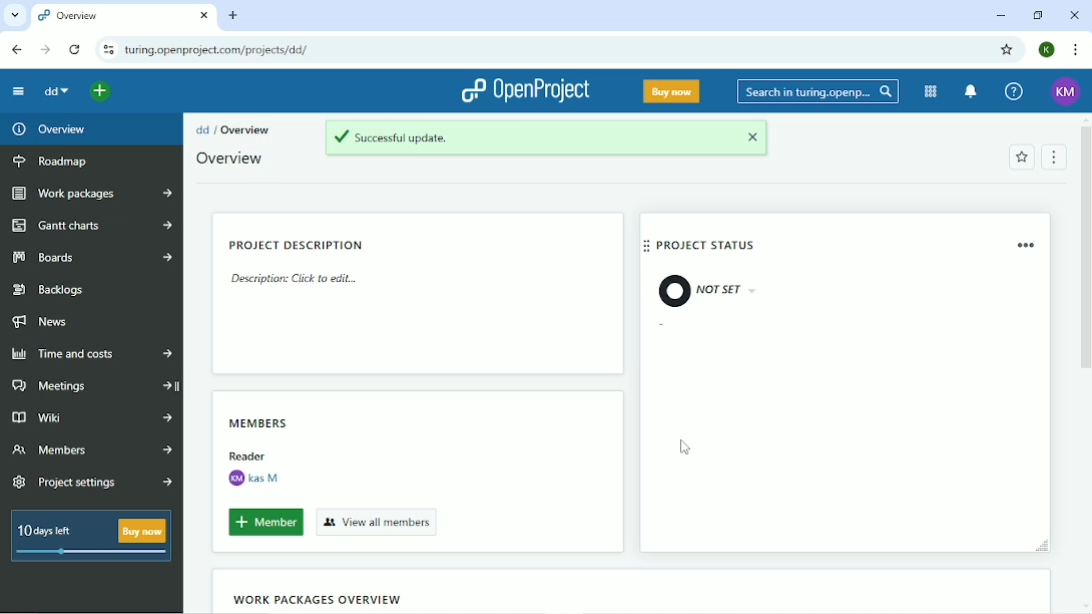  What do you see at coordinates (51, 290) in the screenshot?
I see `Backlogs` at bounding box center [51, 290].